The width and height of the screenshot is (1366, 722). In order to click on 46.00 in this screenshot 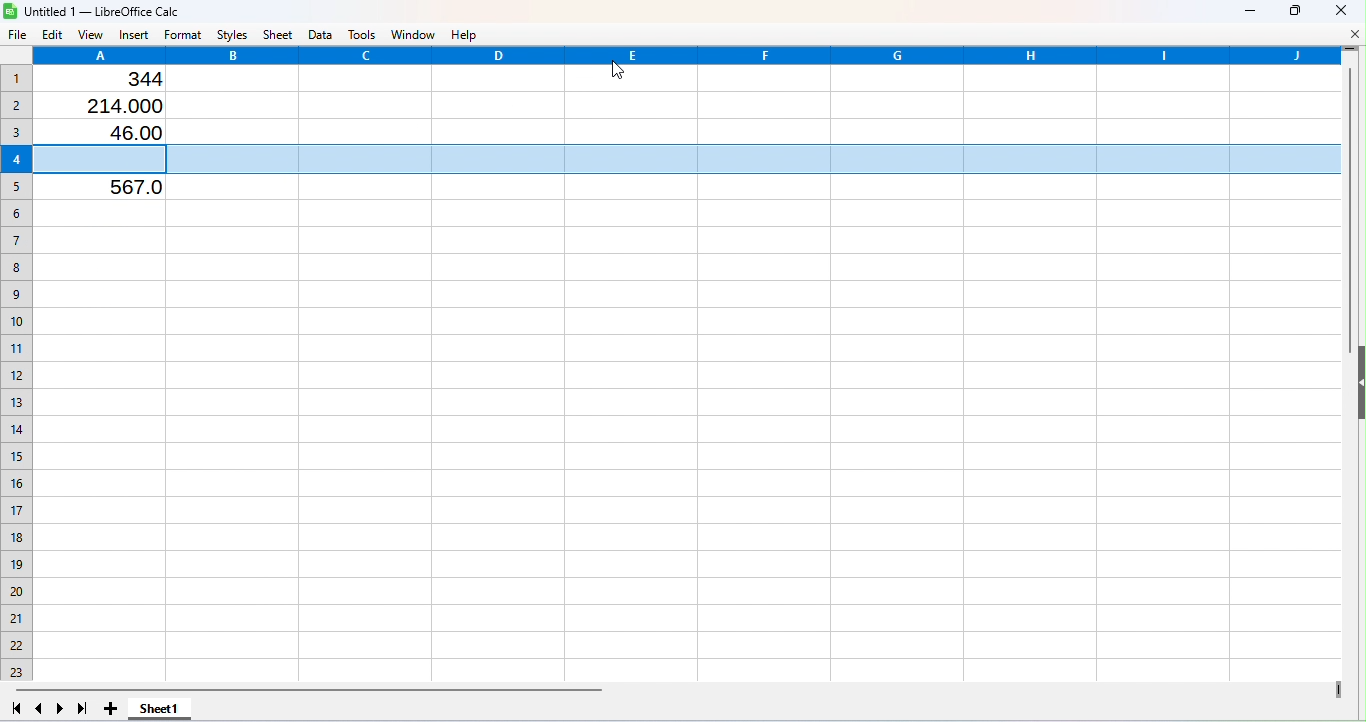, I will do `click(127, 134)`.